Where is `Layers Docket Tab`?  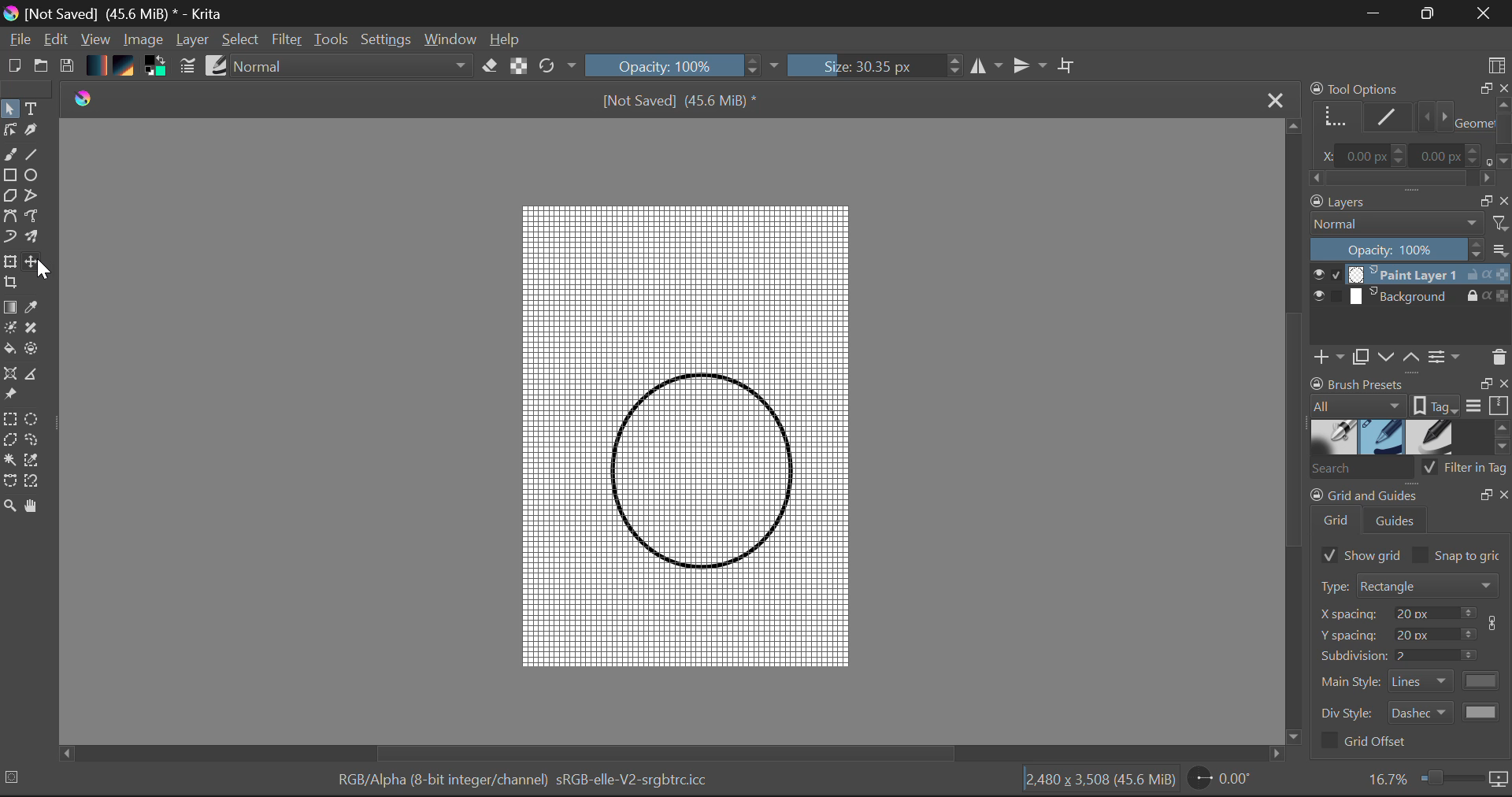 Layers Docket Tab is located at coordinates (1409, 200).